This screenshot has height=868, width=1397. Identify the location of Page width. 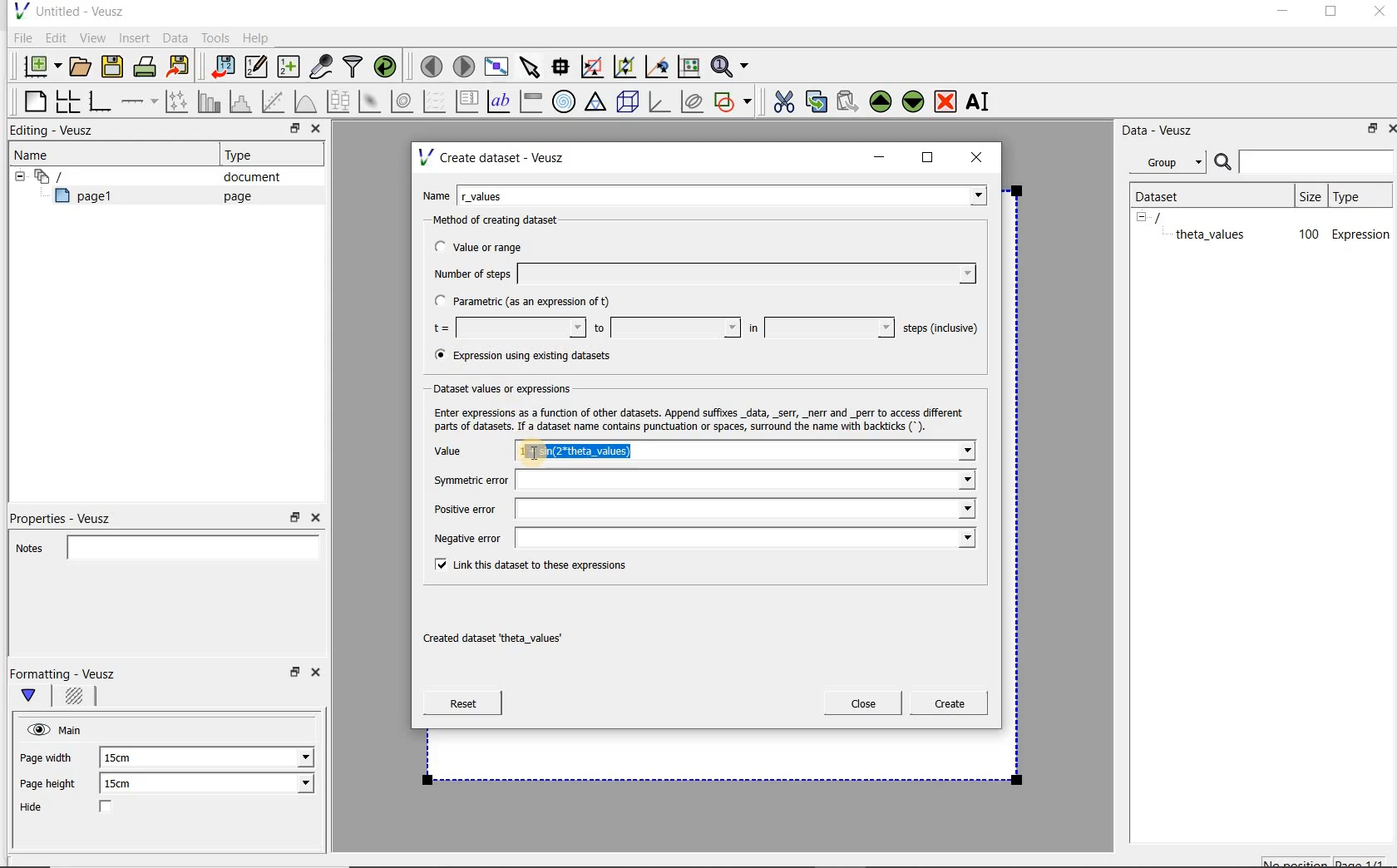
(47, 755).